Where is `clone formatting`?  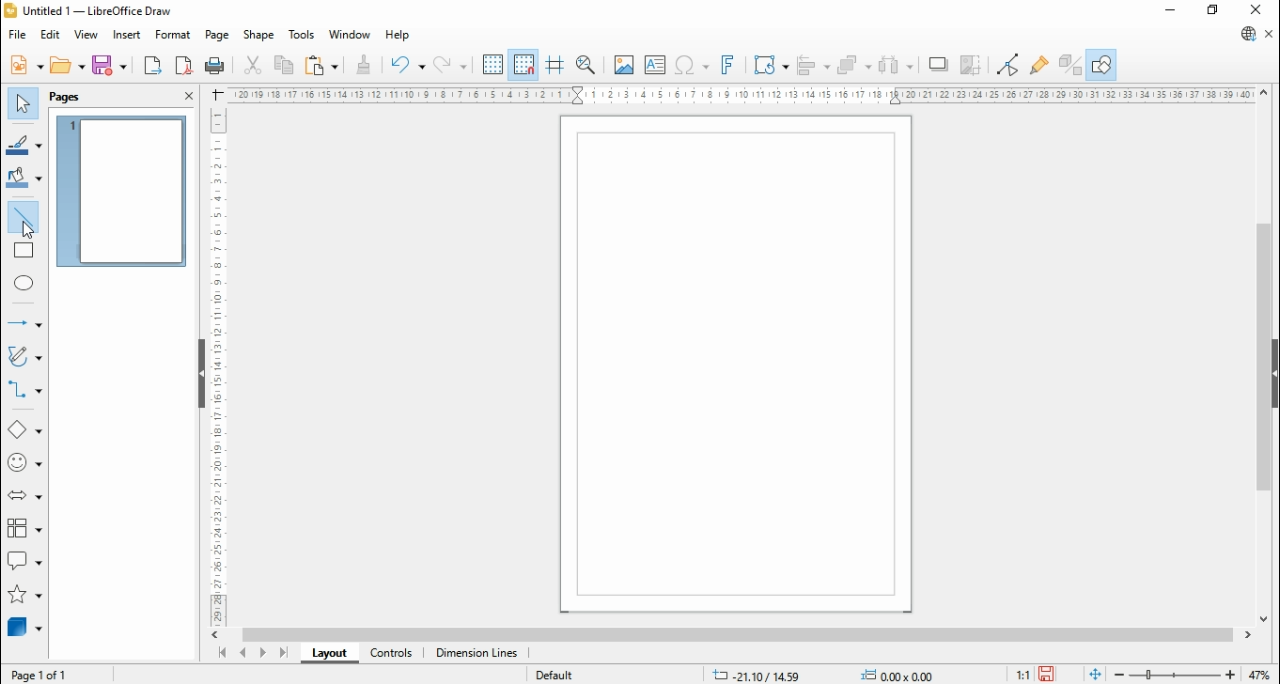
clone formatting is located at coordinates (362, 64).